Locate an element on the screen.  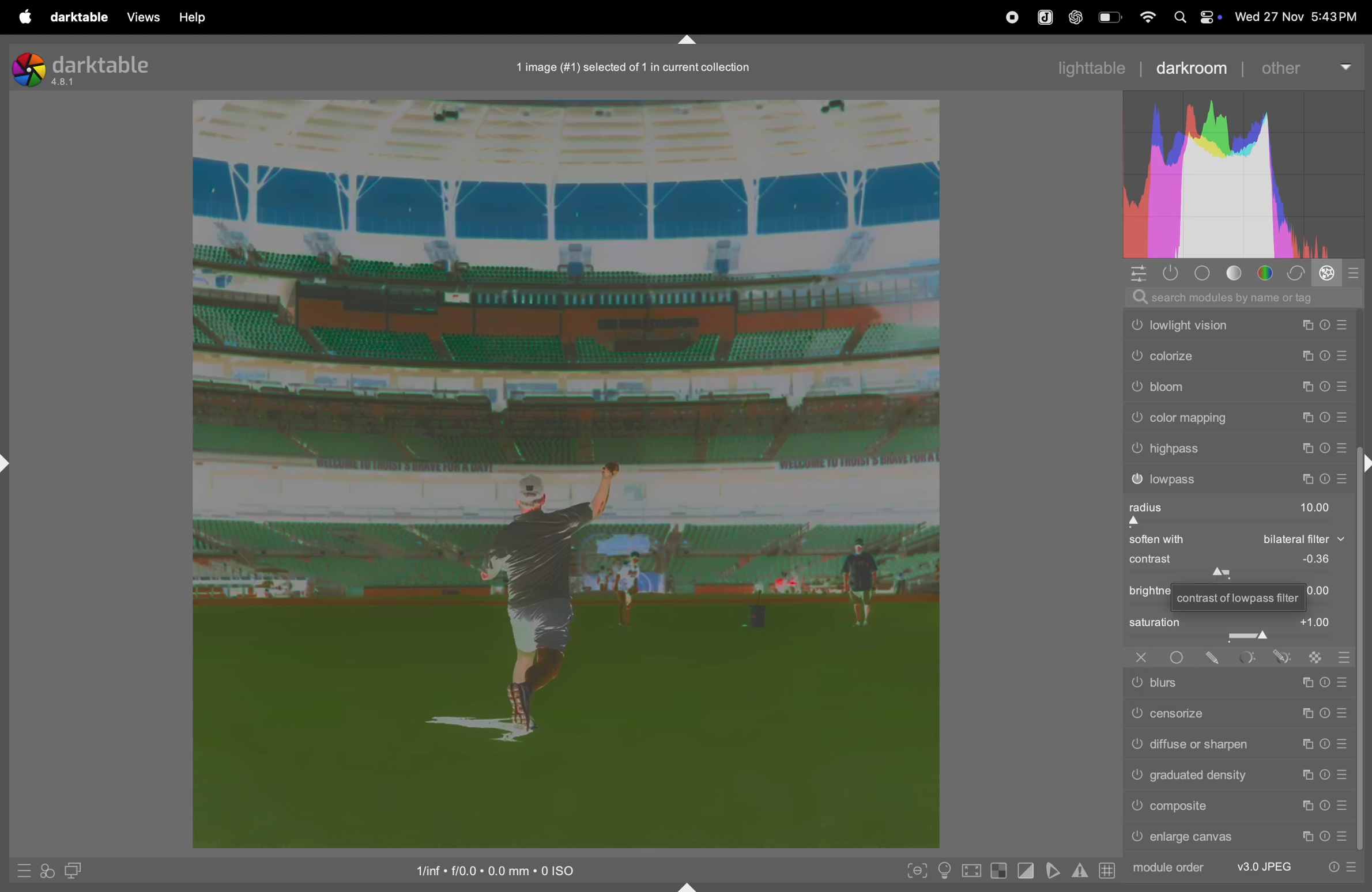
color mapping is located at coordinates (1236, 419).